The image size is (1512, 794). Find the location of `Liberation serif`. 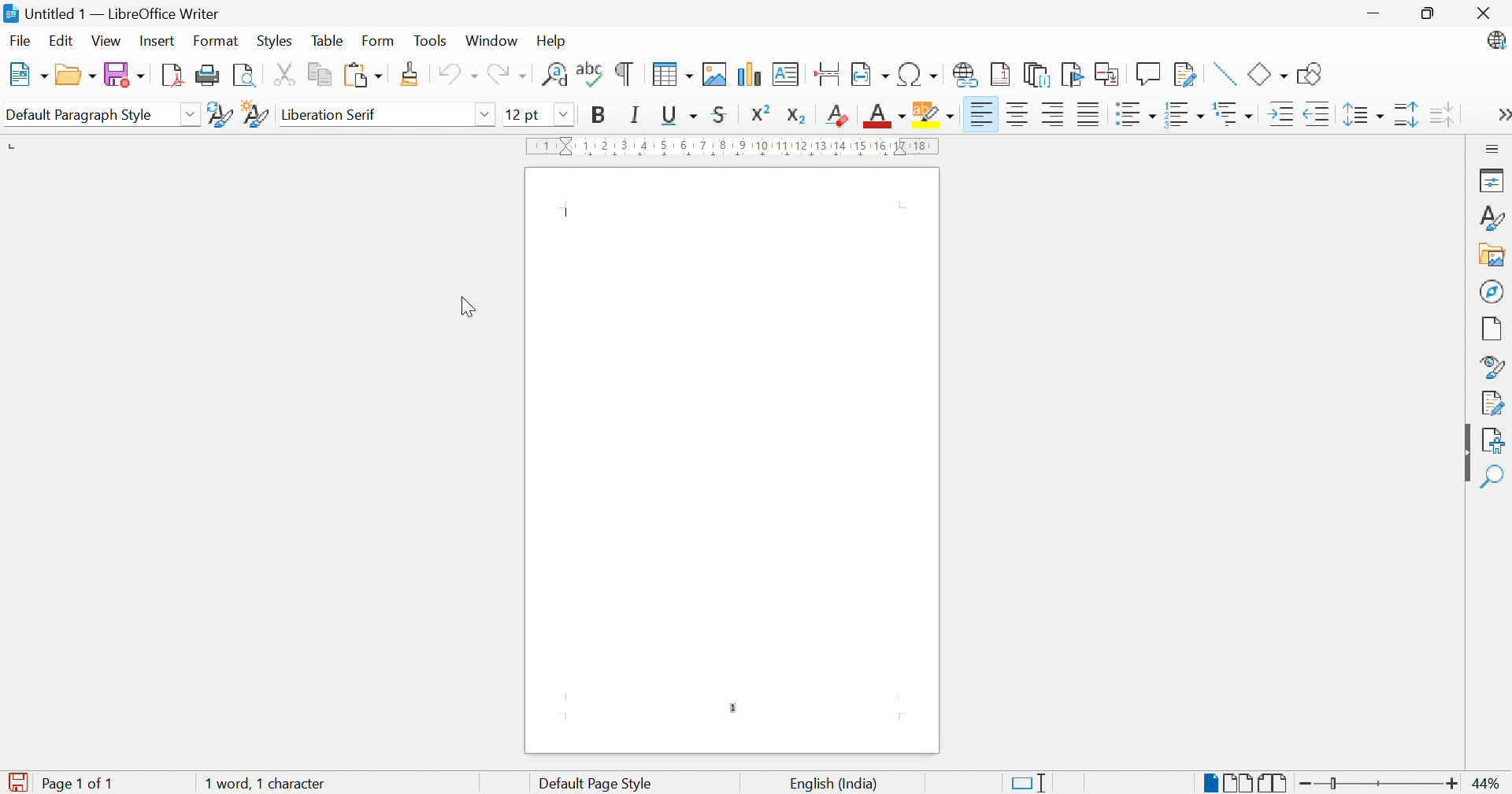

Liberation serif is located at coordinates (328, 114).